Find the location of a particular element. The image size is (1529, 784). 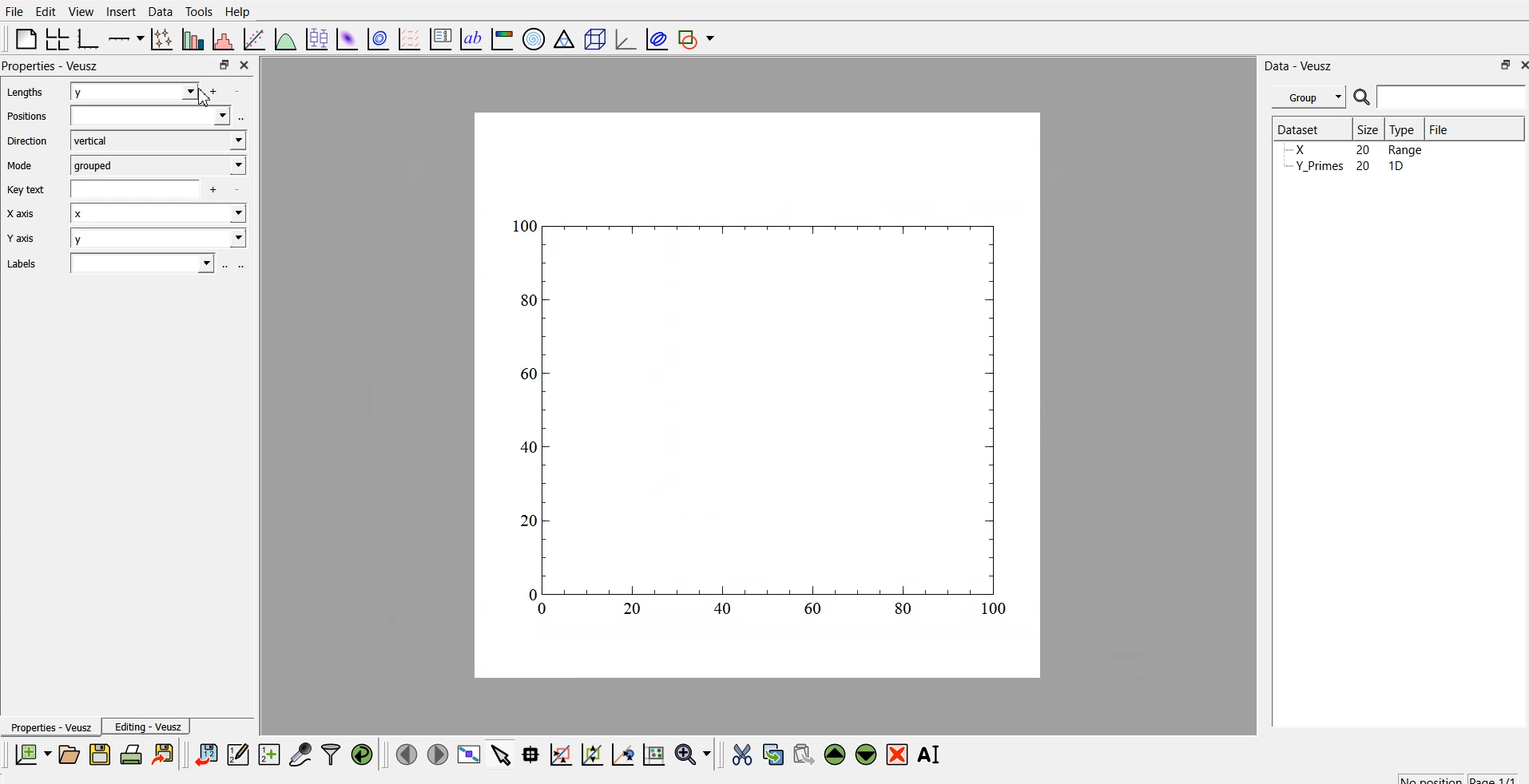

Direction vertical is located at coordinates (126, 141).